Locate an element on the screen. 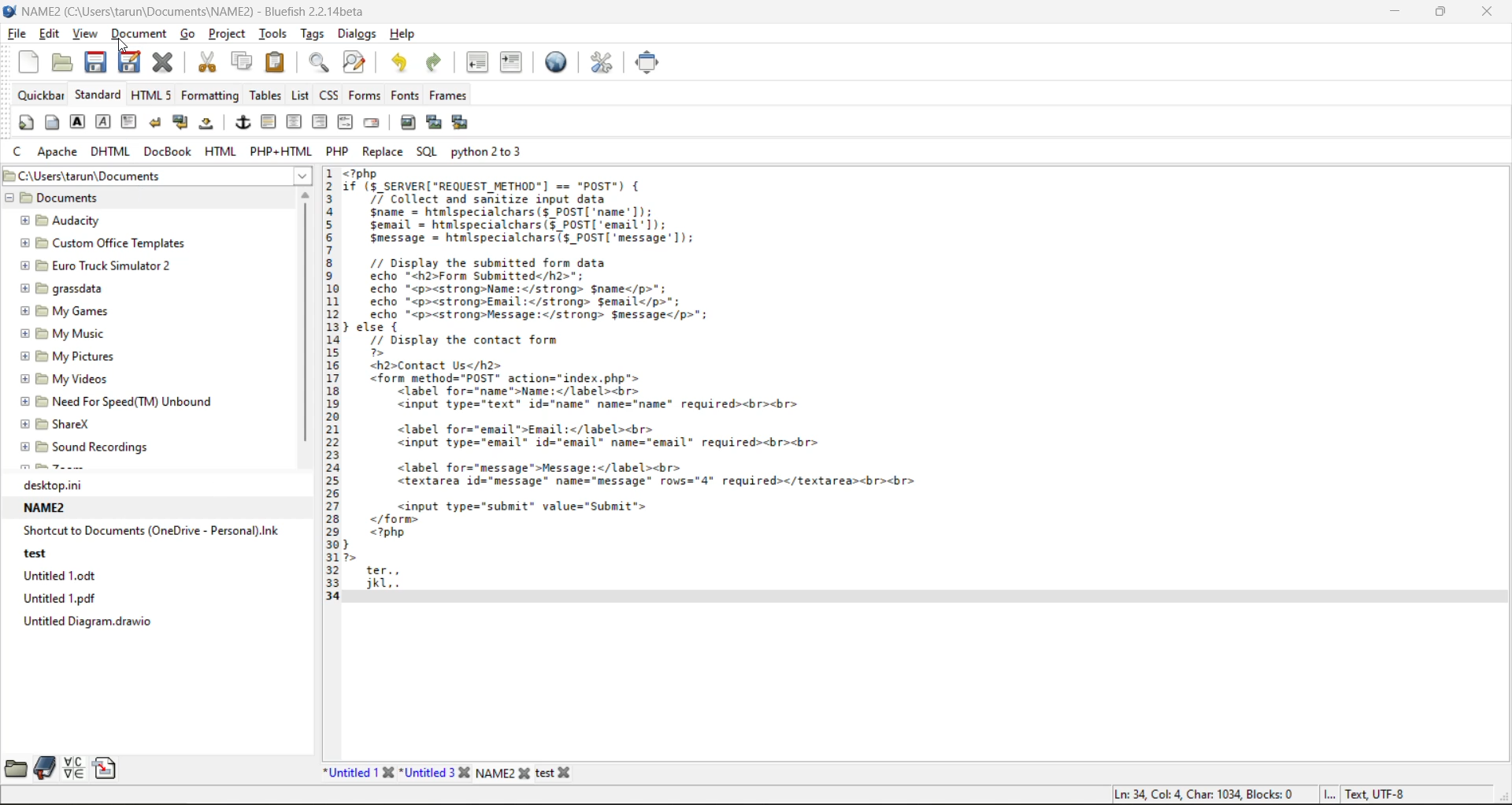  insert thumbnail is located at coordinates (463, 124).